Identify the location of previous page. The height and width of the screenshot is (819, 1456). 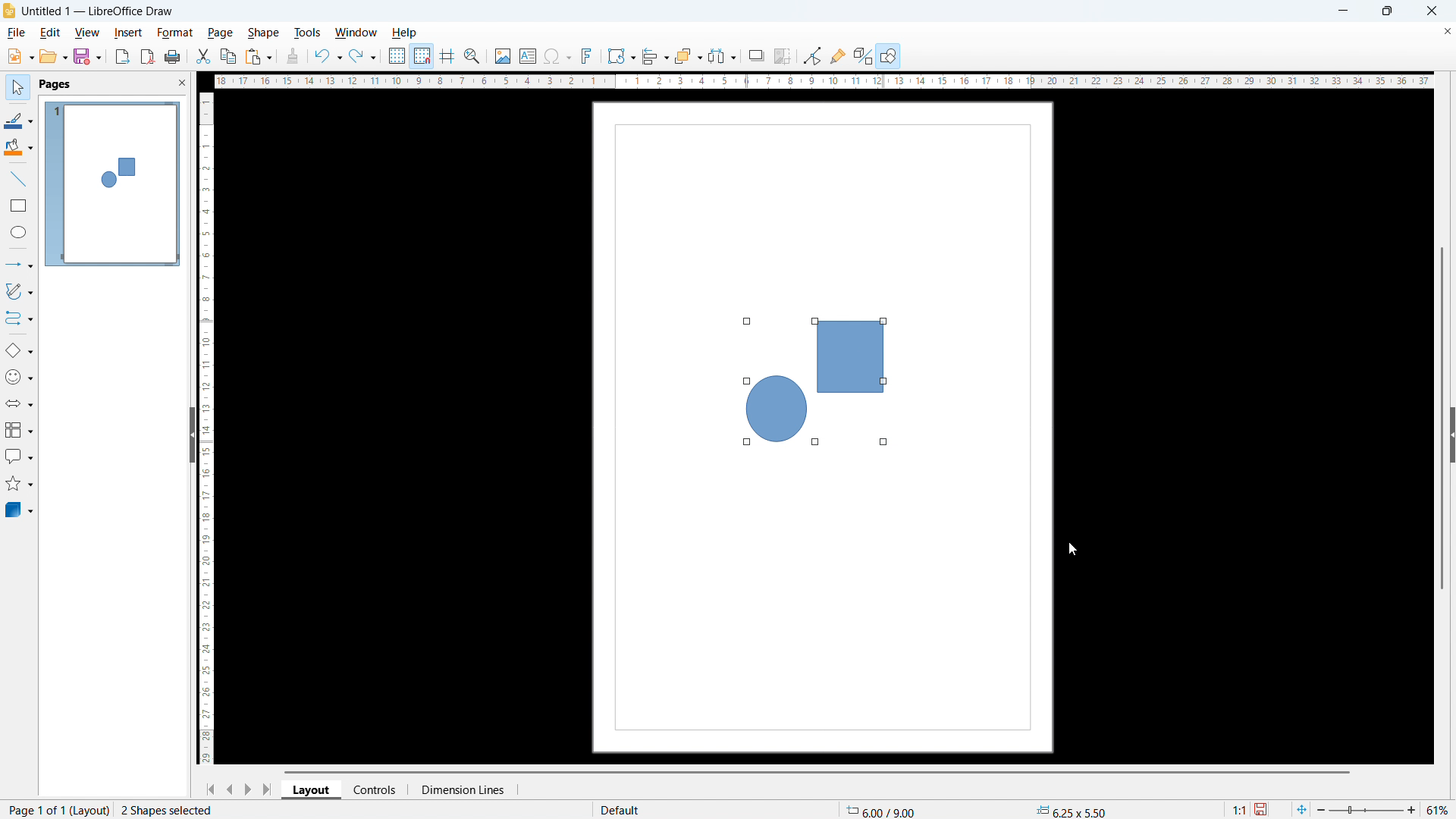
(231, 789).